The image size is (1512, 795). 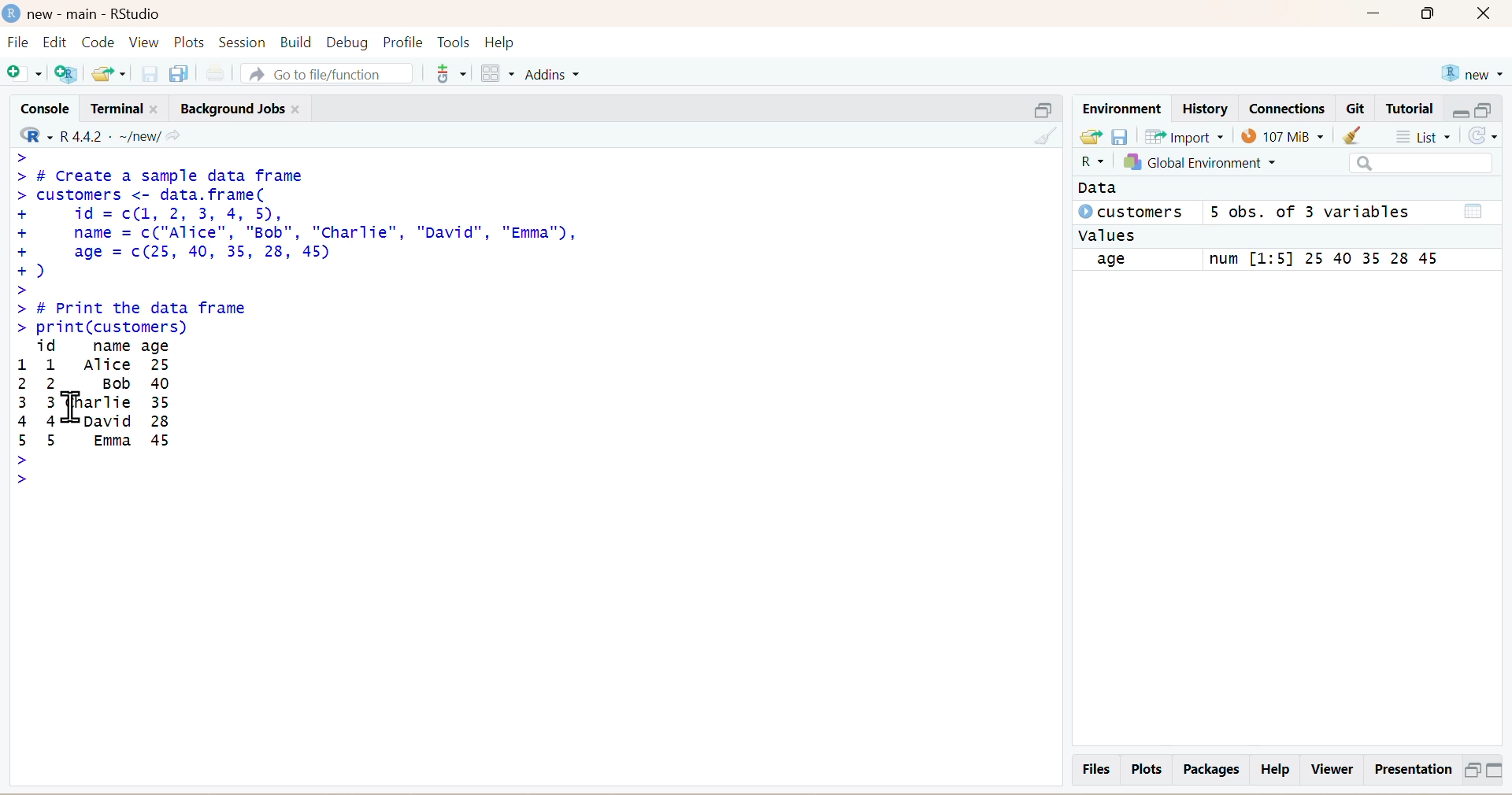 I want to click on Open existing file, so click(x=111, y=72).